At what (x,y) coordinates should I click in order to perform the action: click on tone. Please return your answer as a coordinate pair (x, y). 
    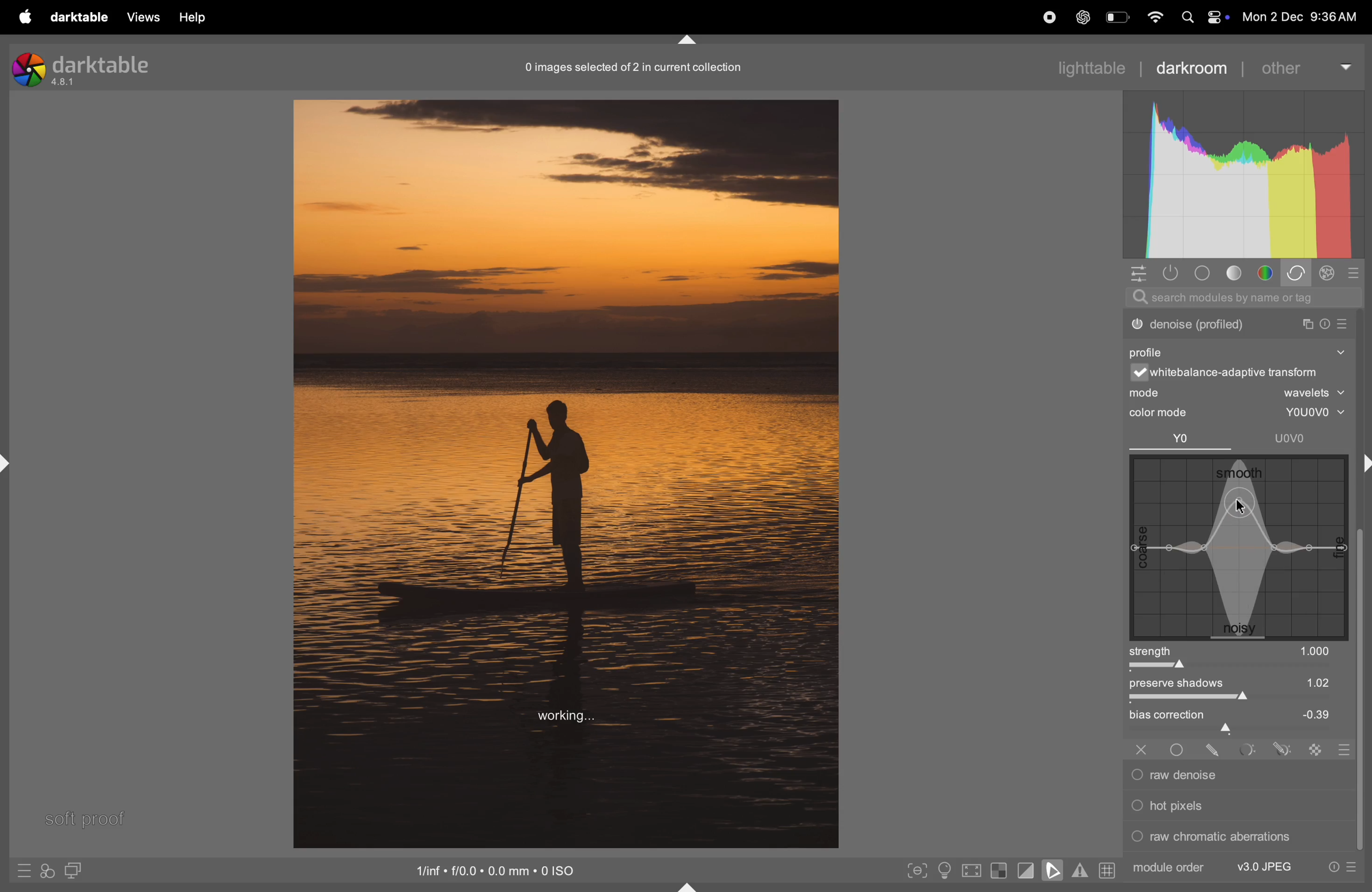
    Looking at the image, I should click on (1235, 274).